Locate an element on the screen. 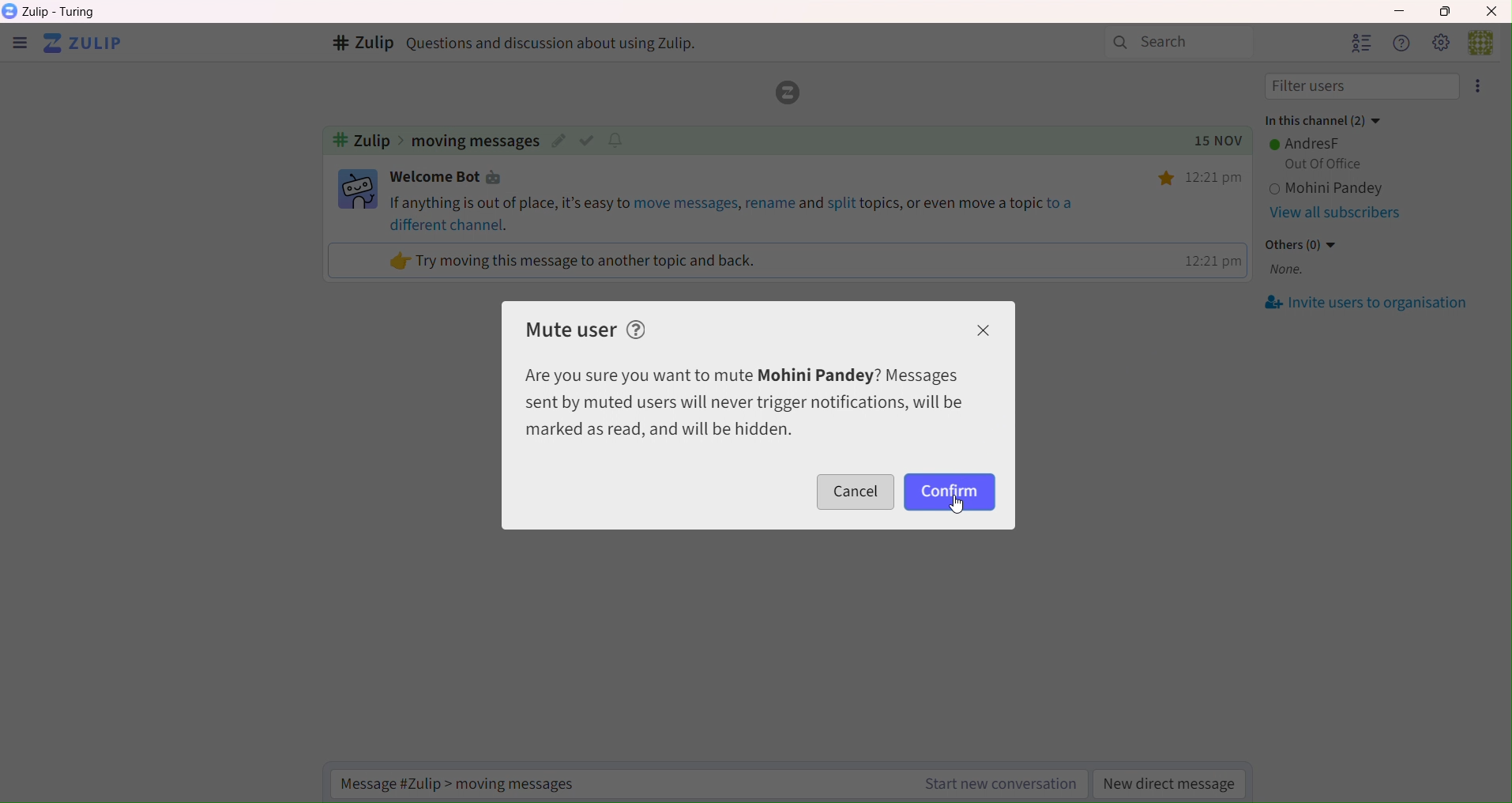  Are you sure you want to mute Mohini Pandey? Messages
sent by muted users will never trigger notifications, will be
marked as read, and will be hidden. is located at coordinates (743, 402).